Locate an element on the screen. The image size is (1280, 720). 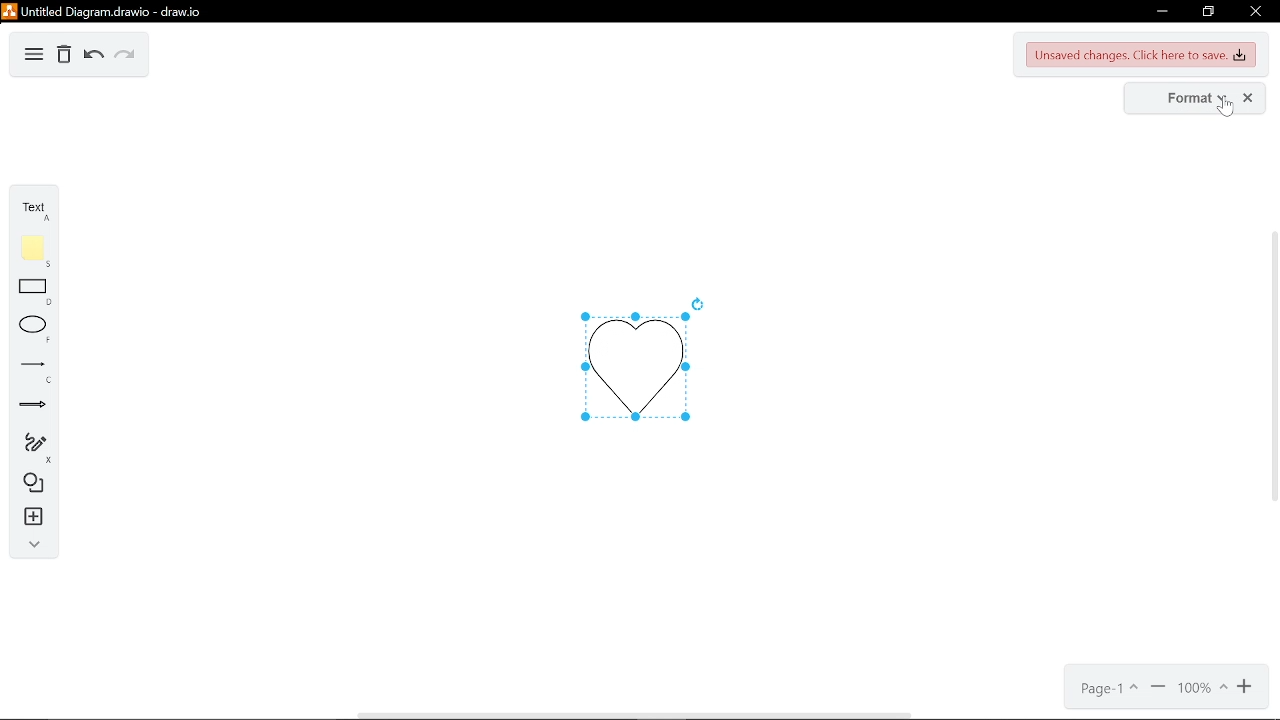
delete is located at coordinates (66, 56).